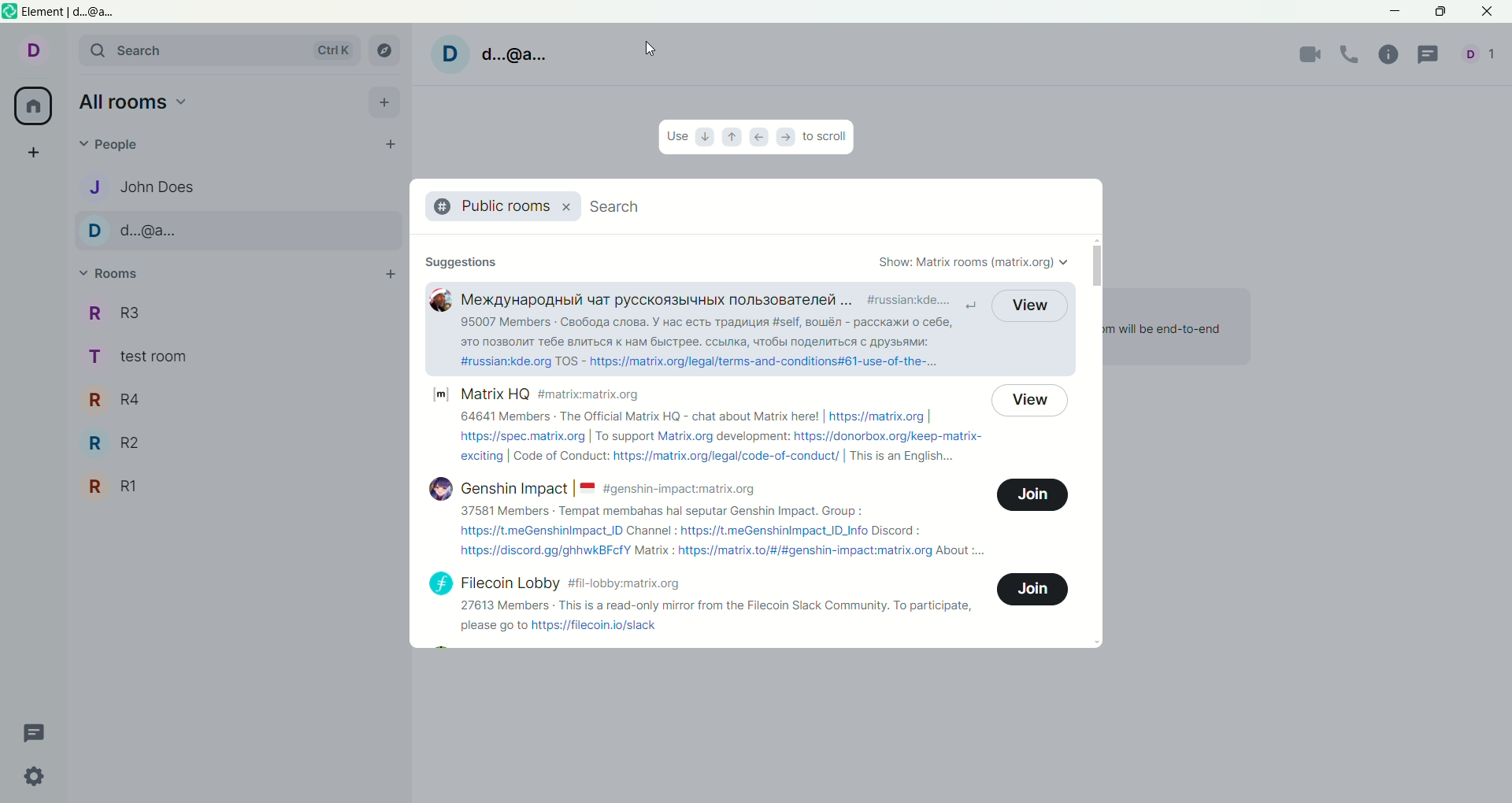  What do you see at coordinates (1443, 13) in the screenshot?
I see `maximize` at bounding box center [1443, 13].